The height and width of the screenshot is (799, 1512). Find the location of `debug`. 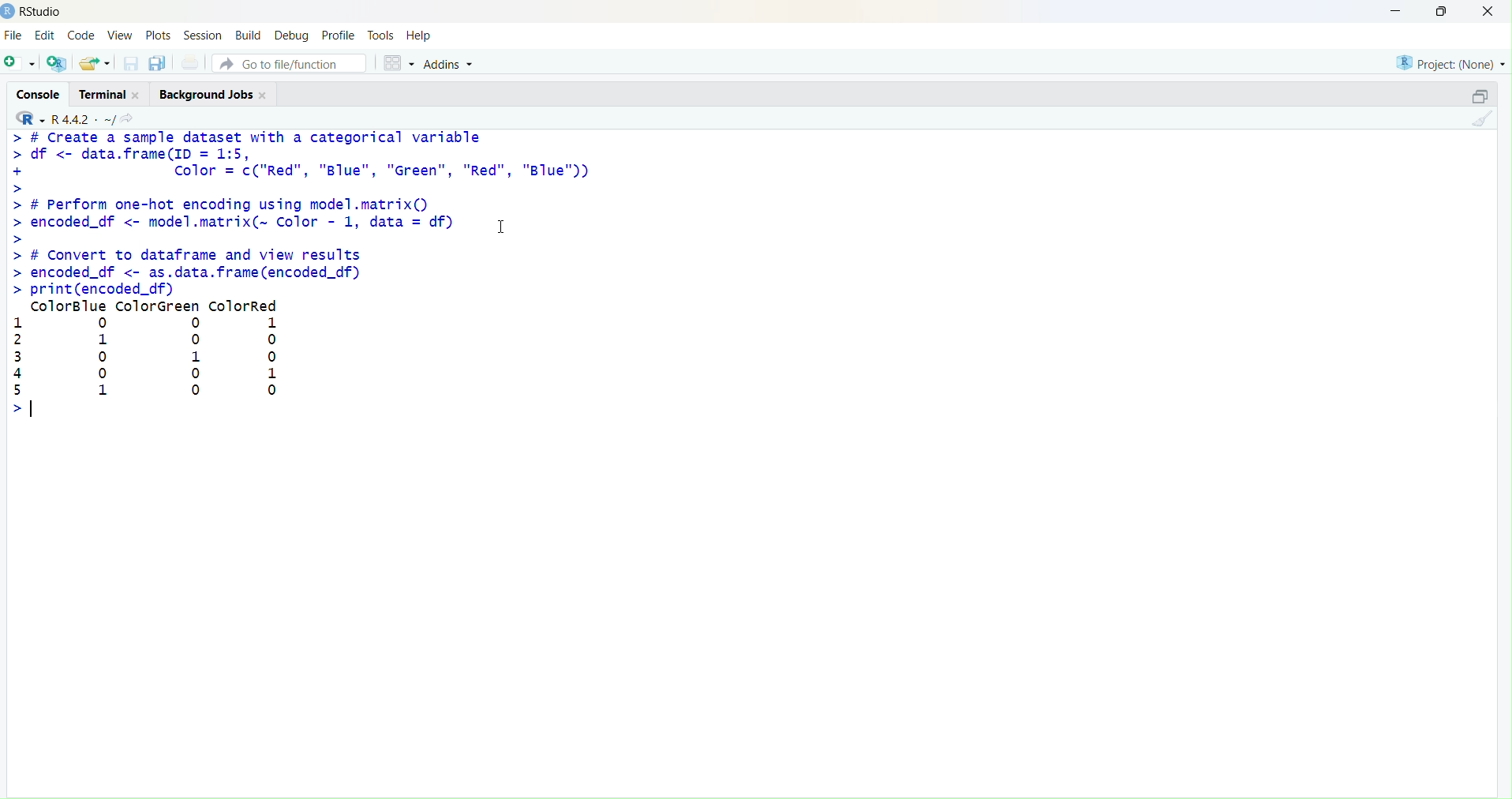

debug is located at coordinates (291, 37).